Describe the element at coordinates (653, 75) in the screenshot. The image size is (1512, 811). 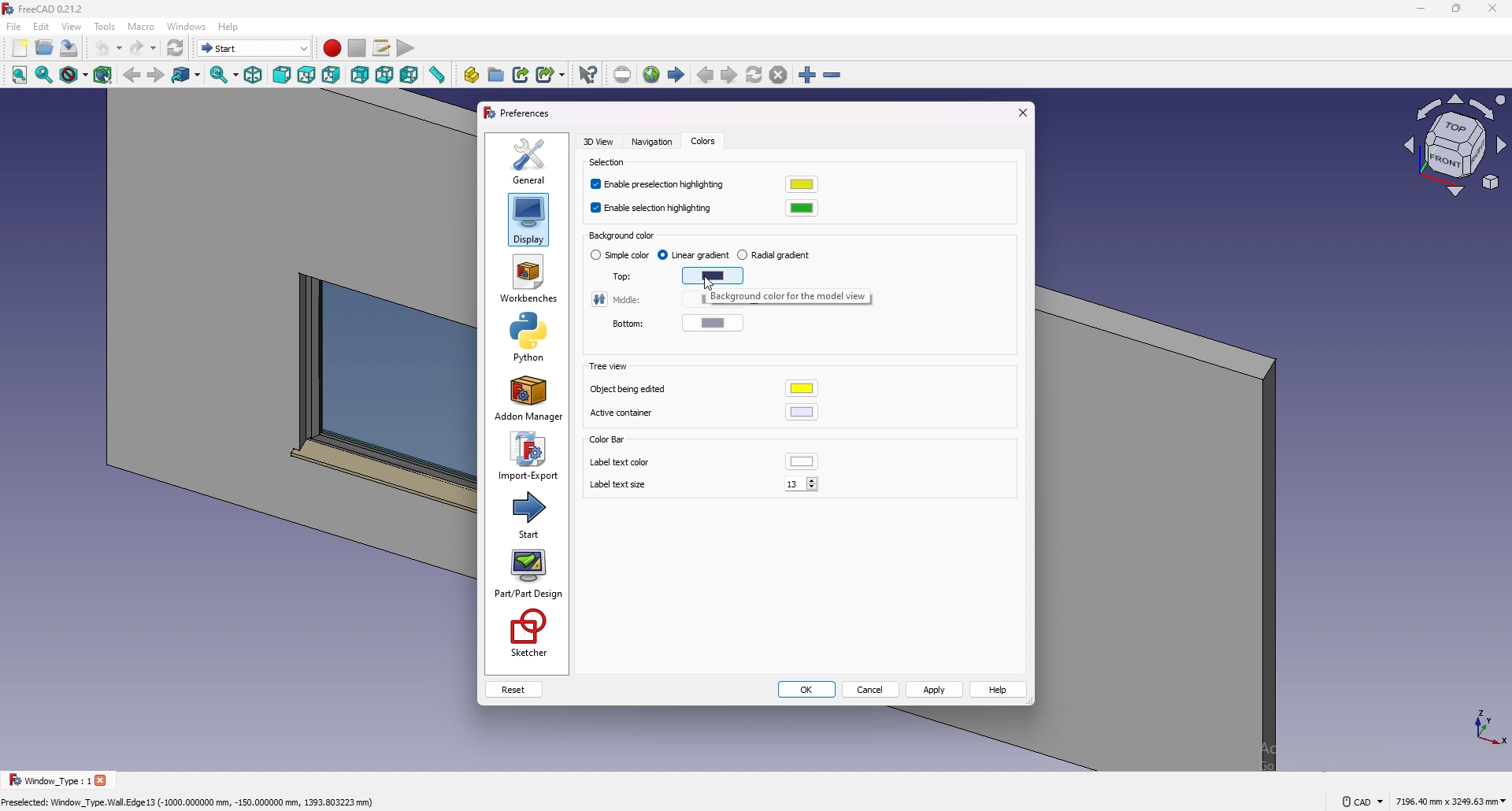
I see `open website` at that location.